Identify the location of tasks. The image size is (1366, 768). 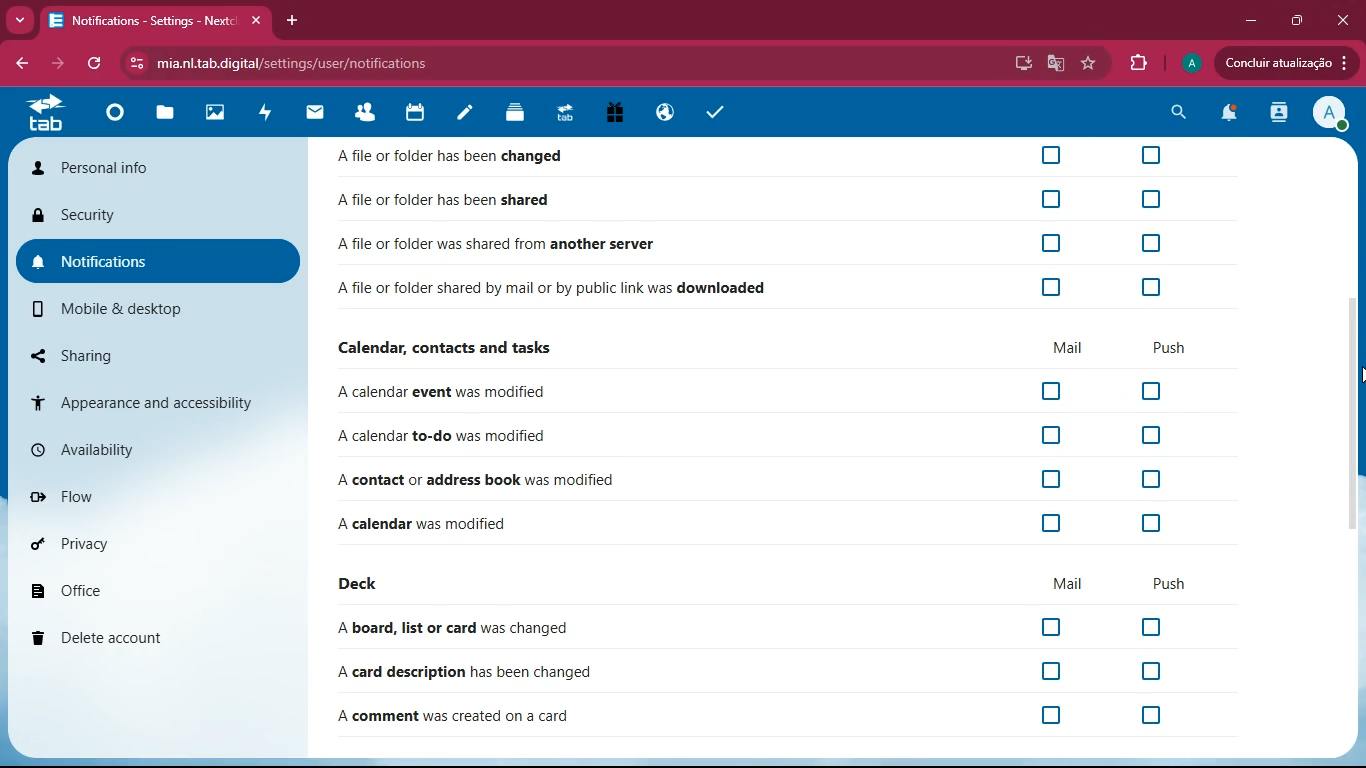
(718, 114).